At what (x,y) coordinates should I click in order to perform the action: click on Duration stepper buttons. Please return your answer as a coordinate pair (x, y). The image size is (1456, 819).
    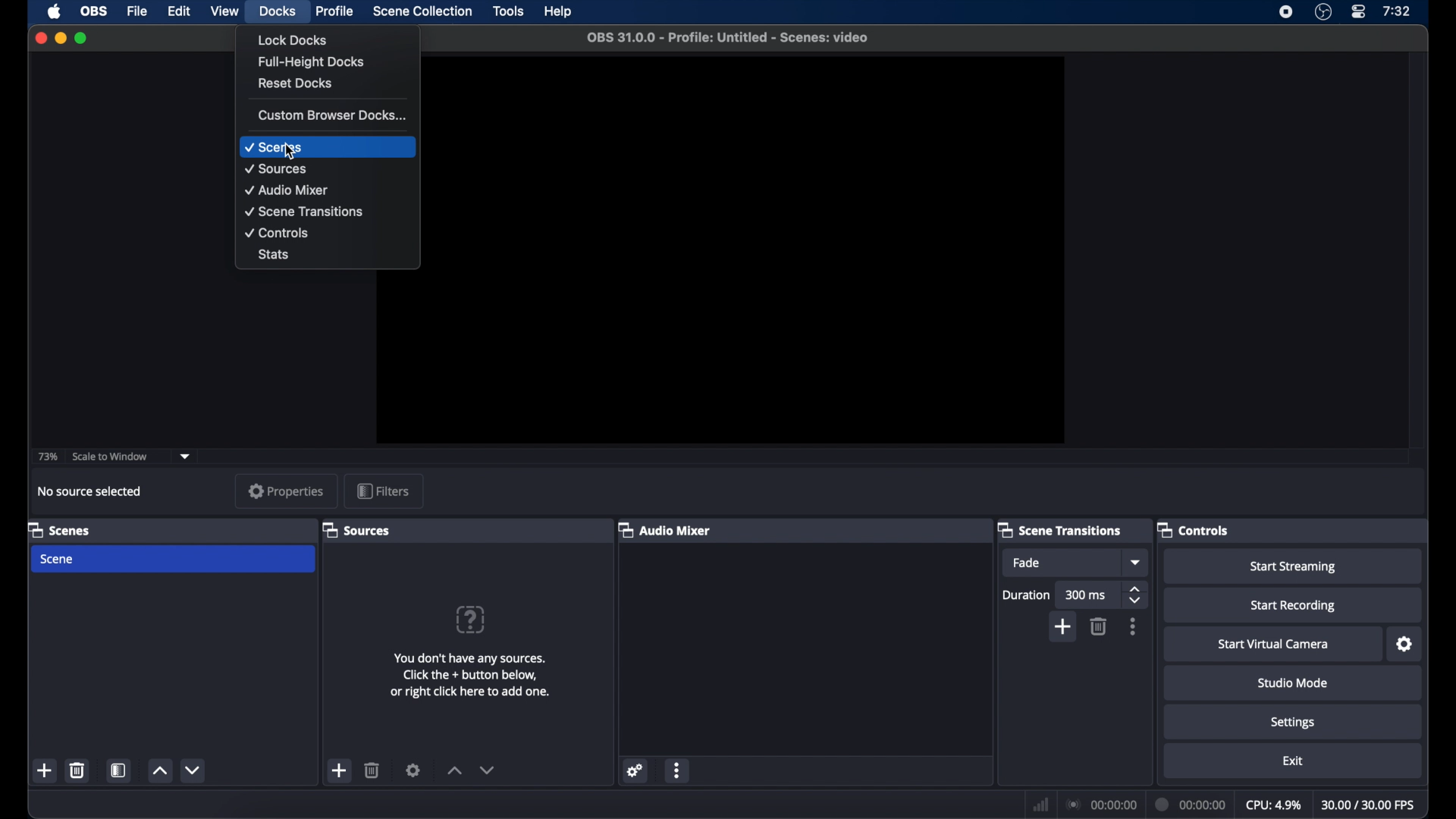
    Looking at the image, I should click on (1136, 596).